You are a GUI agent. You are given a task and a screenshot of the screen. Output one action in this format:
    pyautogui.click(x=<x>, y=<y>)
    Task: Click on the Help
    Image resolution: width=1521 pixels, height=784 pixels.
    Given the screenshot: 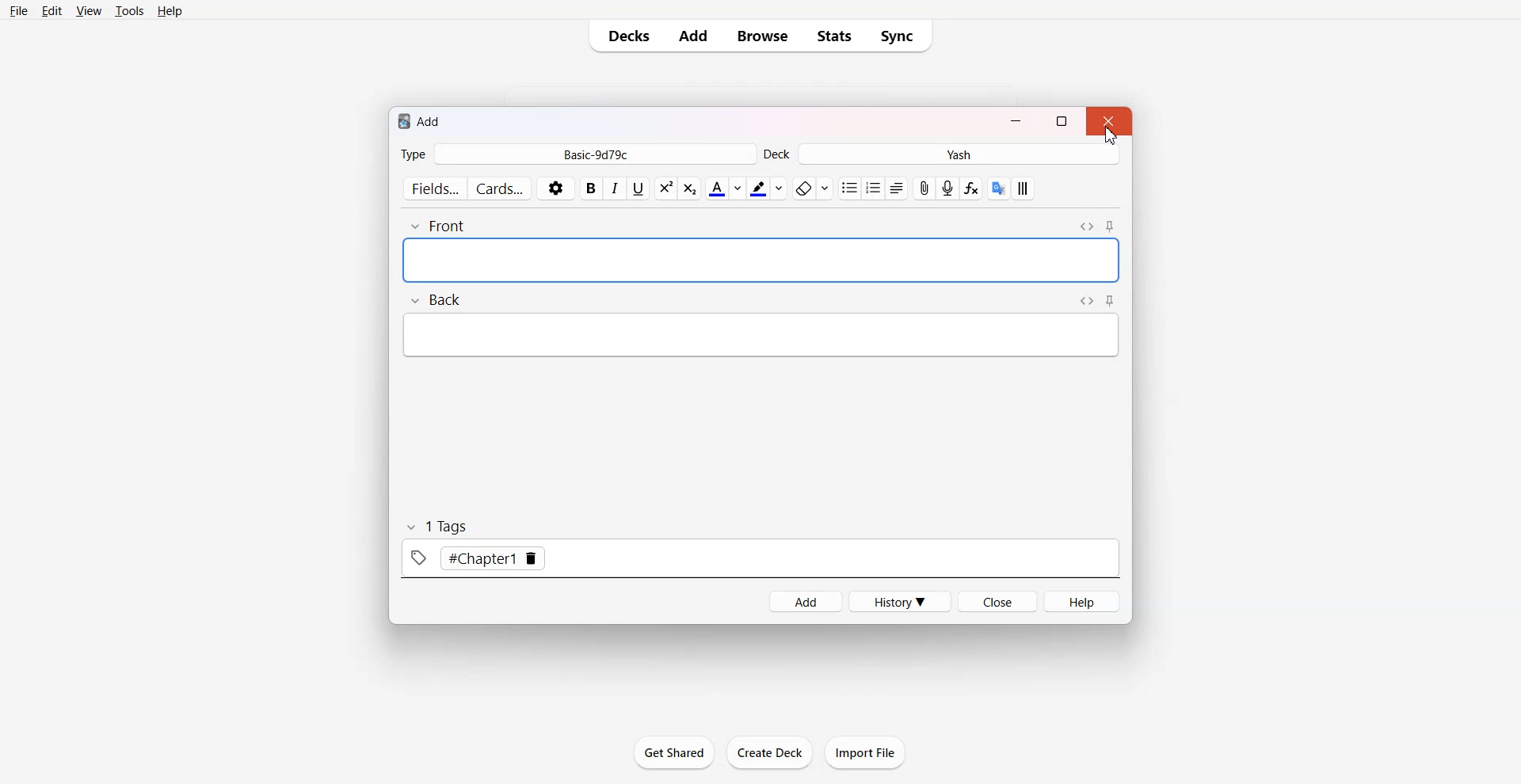 What is the action you would take?
    pyautogui.click(x=173, y=12)
    